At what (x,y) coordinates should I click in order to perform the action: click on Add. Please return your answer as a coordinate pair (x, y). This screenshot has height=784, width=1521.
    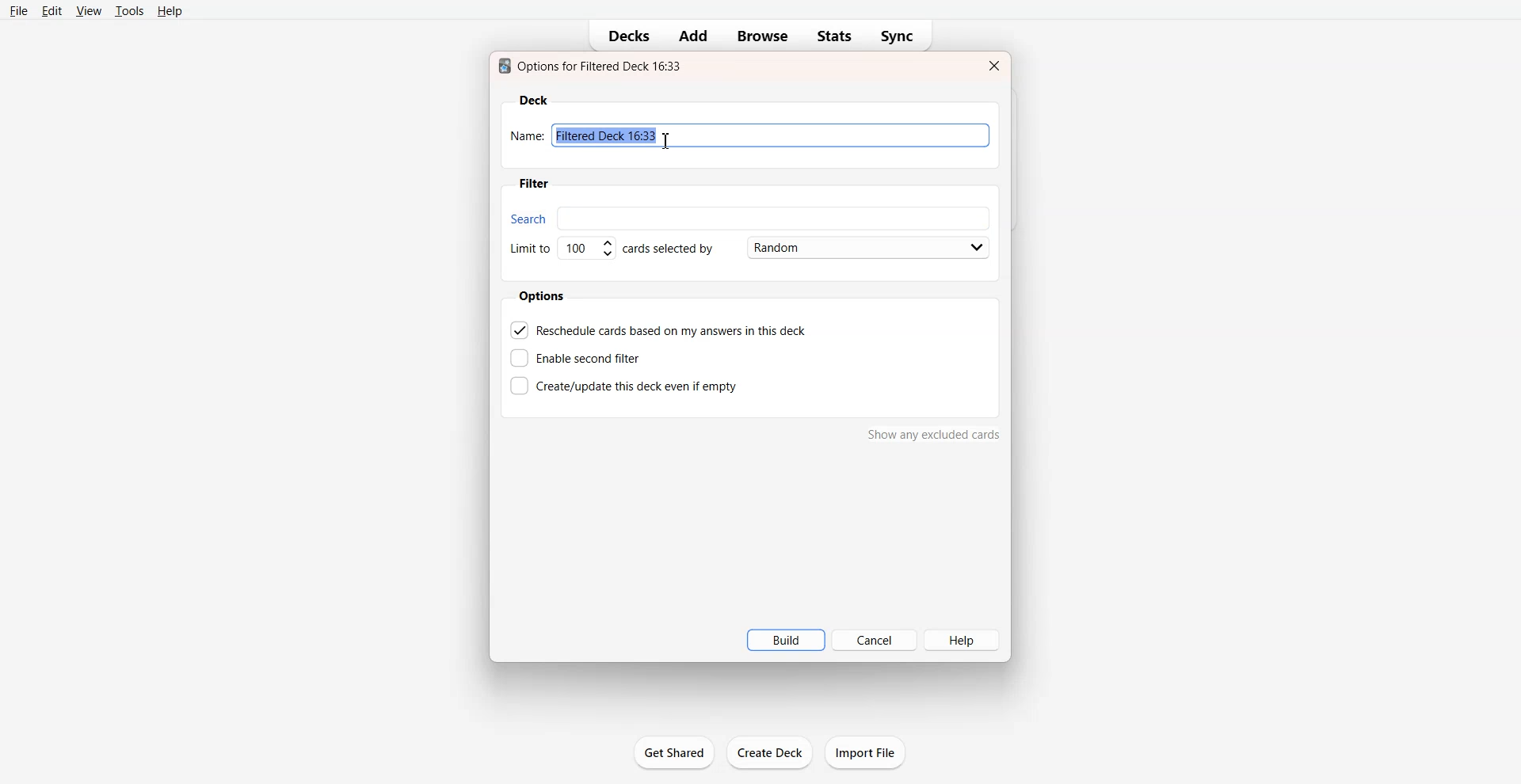
    Looking at the image, I should click on (692, 36).